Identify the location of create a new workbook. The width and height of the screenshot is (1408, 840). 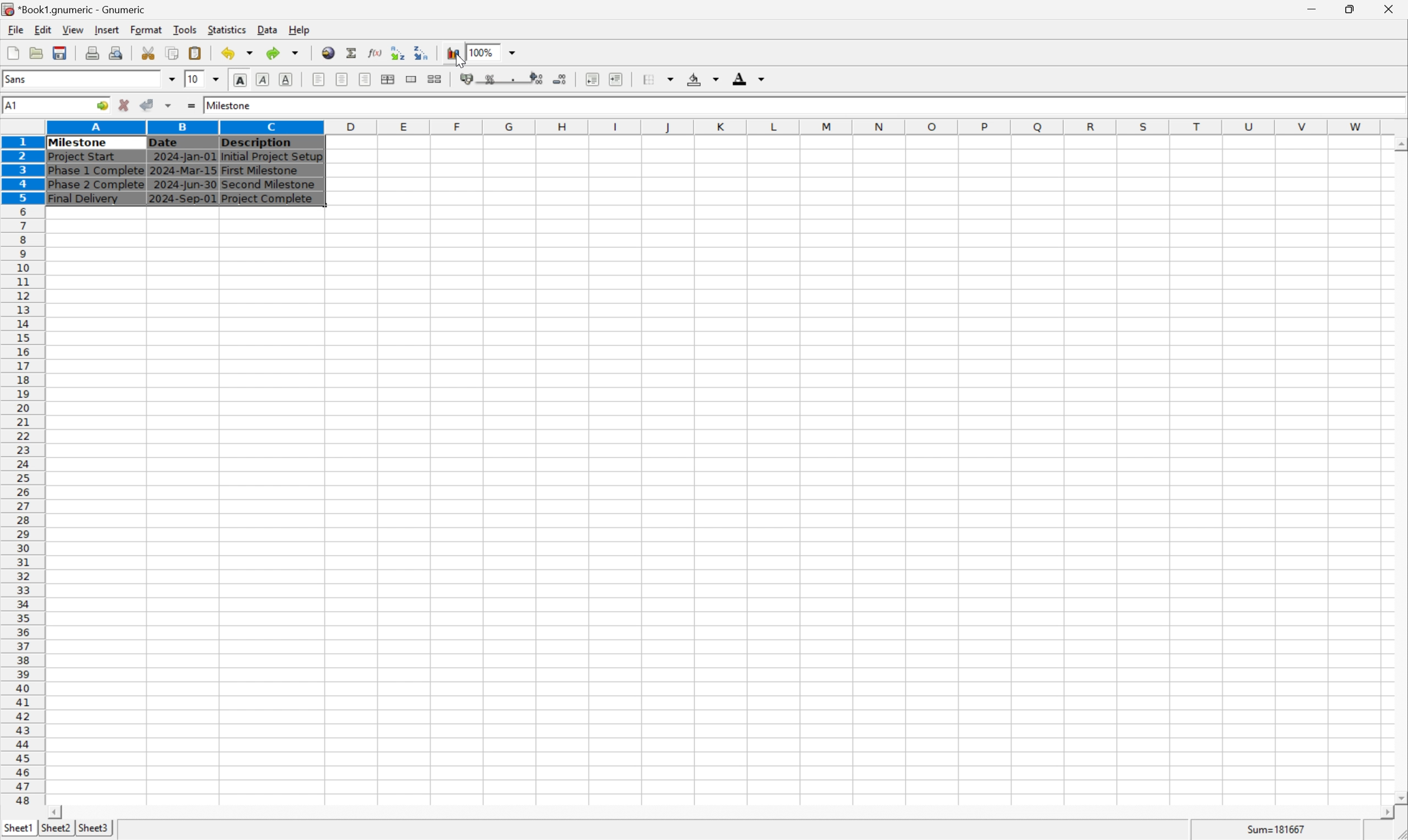
(12, 54).